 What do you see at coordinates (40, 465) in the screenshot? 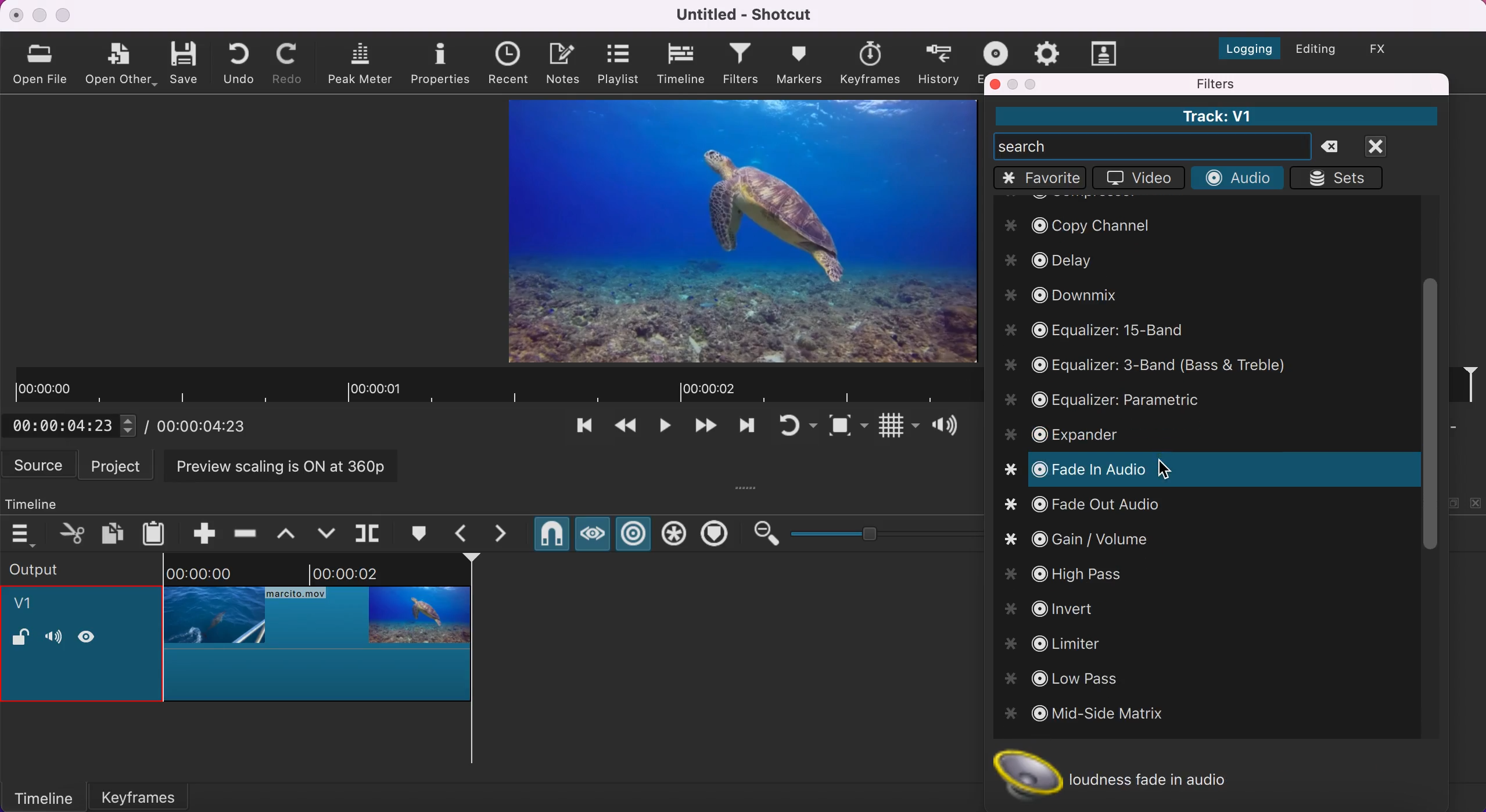
I see `source` at bounding box center [40, 465].